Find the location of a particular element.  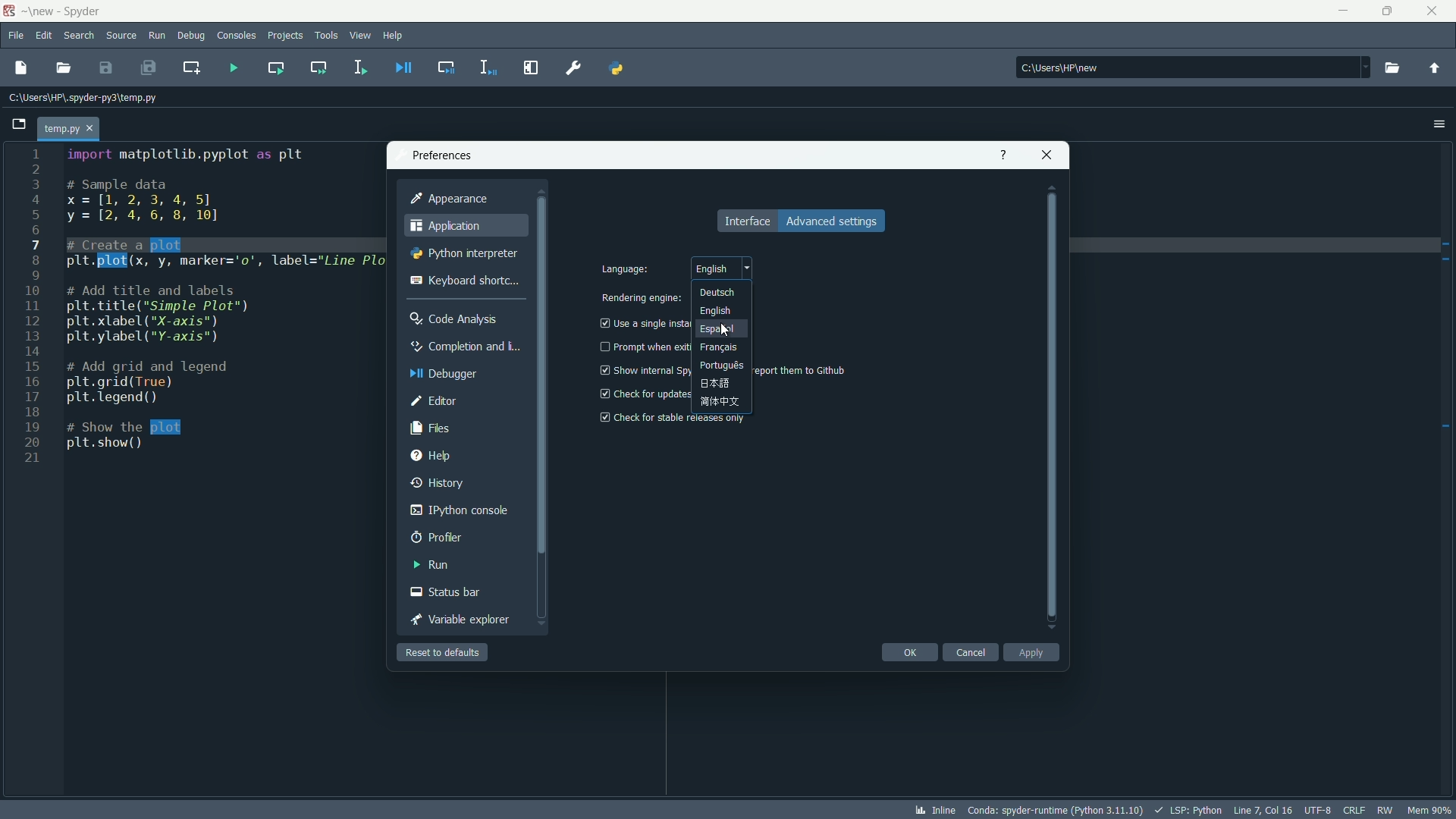

code analysis is located at coordinates (456, 320).